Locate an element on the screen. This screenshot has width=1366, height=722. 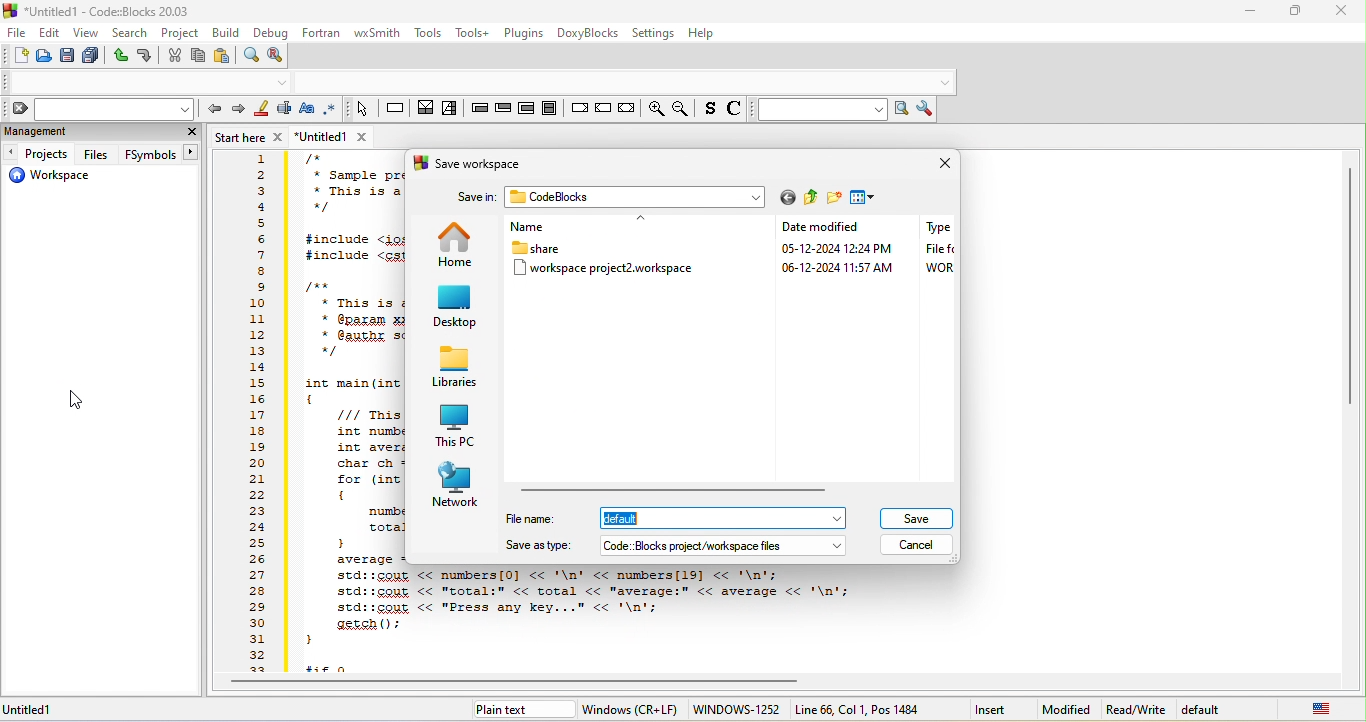
open is located at coordinates (43, 57).